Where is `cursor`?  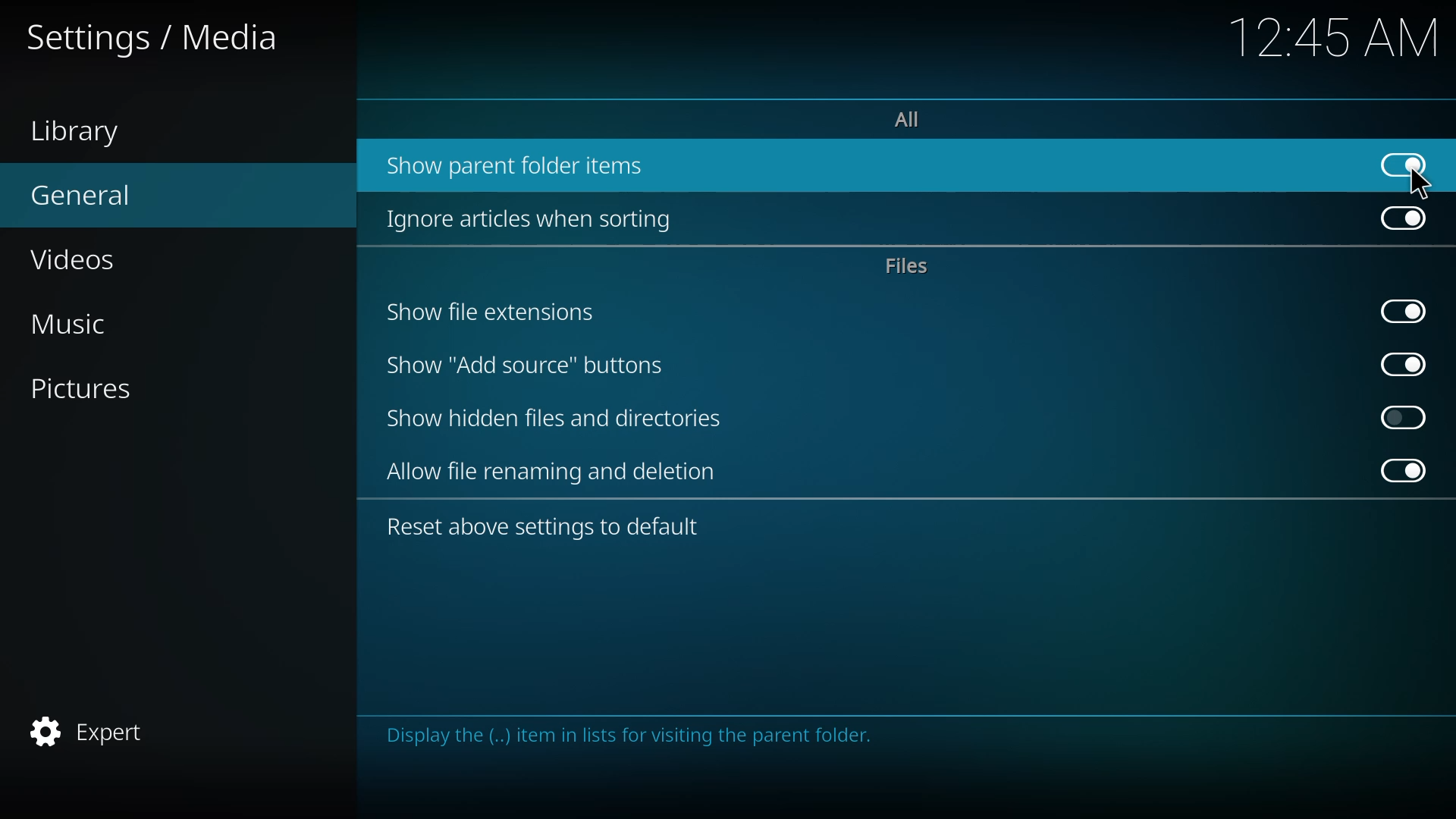 cursor is located at coordinates (1421, 186).